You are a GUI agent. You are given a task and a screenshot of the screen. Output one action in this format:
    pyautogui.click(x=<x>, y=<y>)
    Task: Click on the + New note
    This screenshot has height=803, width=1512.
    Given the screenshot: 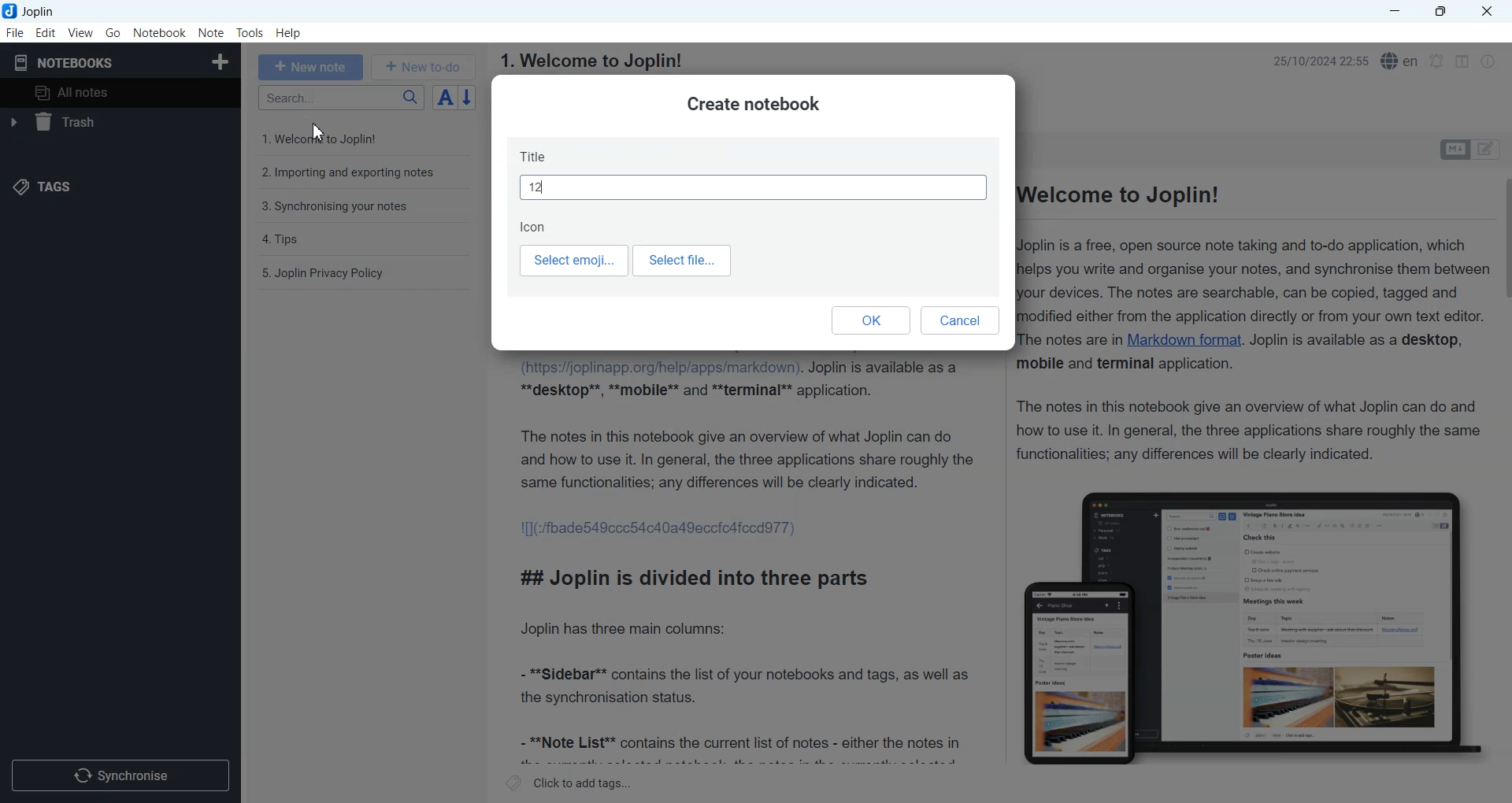 What is the action you would take?
    pyautogui.click(x=311, y=67)
    